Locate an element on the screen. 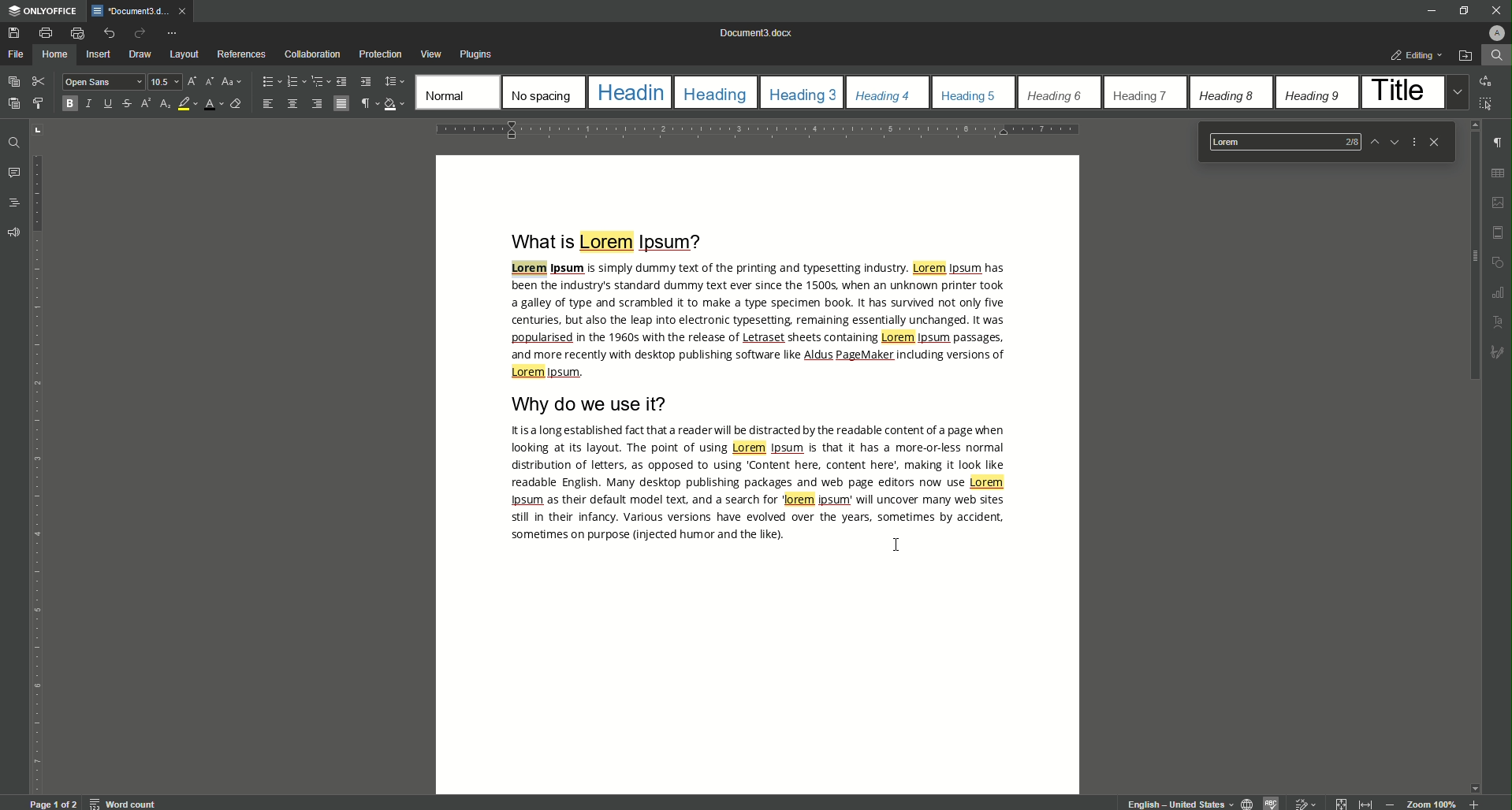 The height and width of the screenshot is (810, 1512). Page 1 of 2 is located at coordinates (51, 804).